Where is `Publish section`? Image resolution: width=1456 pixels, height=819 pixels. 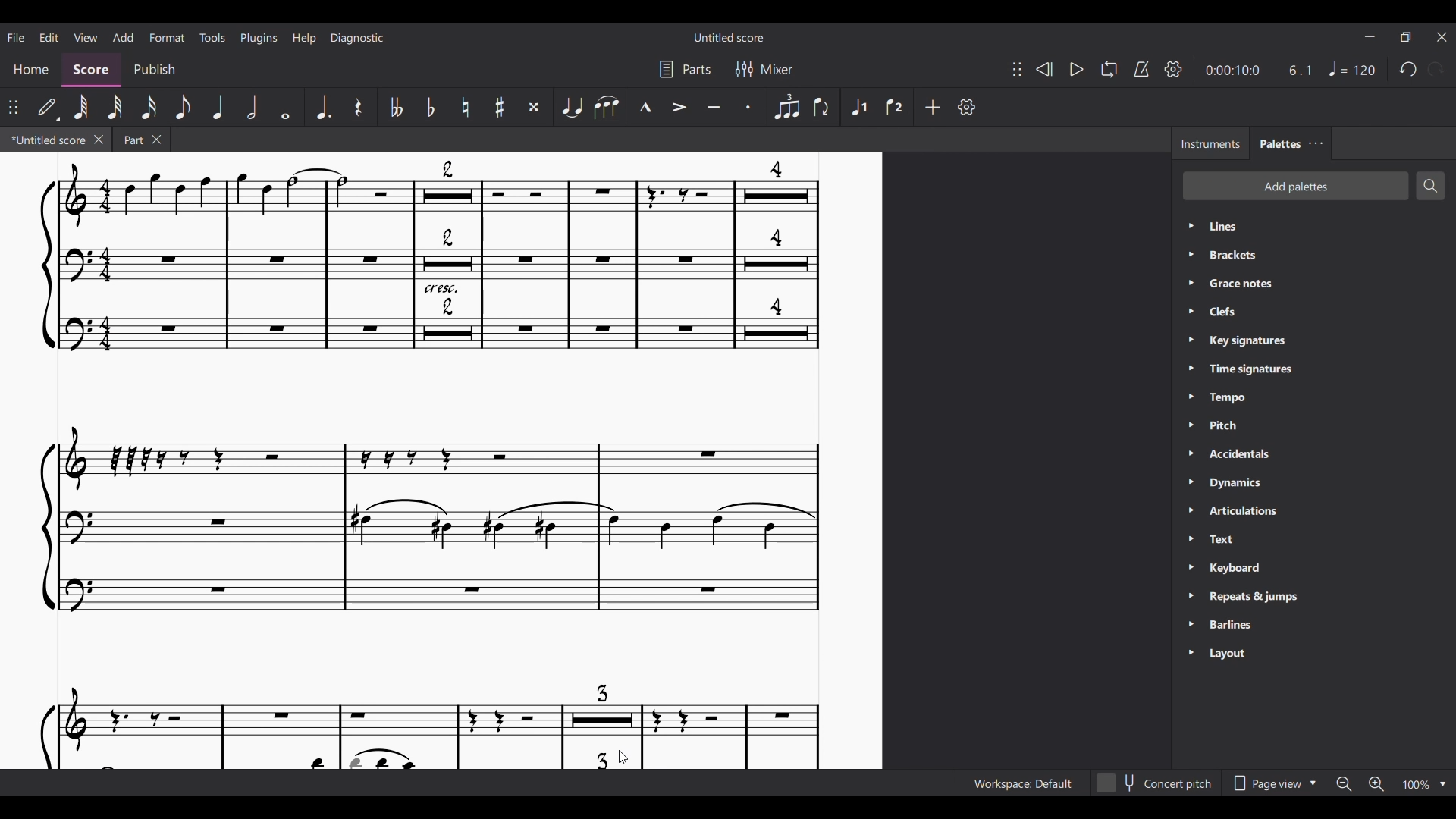 Publish section is located at coordinates (154, 70).